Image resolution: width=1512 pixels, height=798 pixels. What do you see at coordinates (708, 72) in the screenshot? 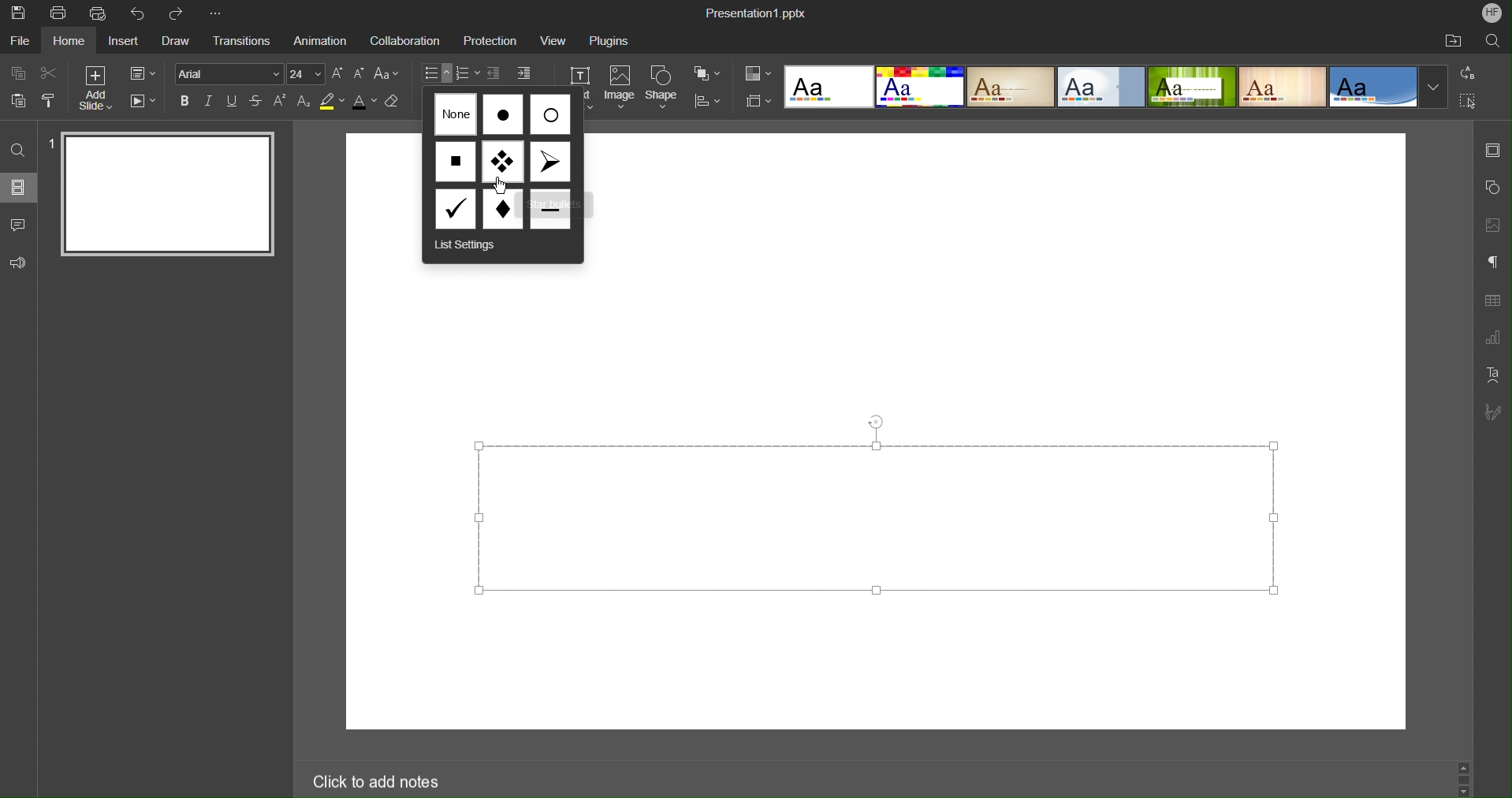
I see `Arrange` at bounding box center [708, 72].